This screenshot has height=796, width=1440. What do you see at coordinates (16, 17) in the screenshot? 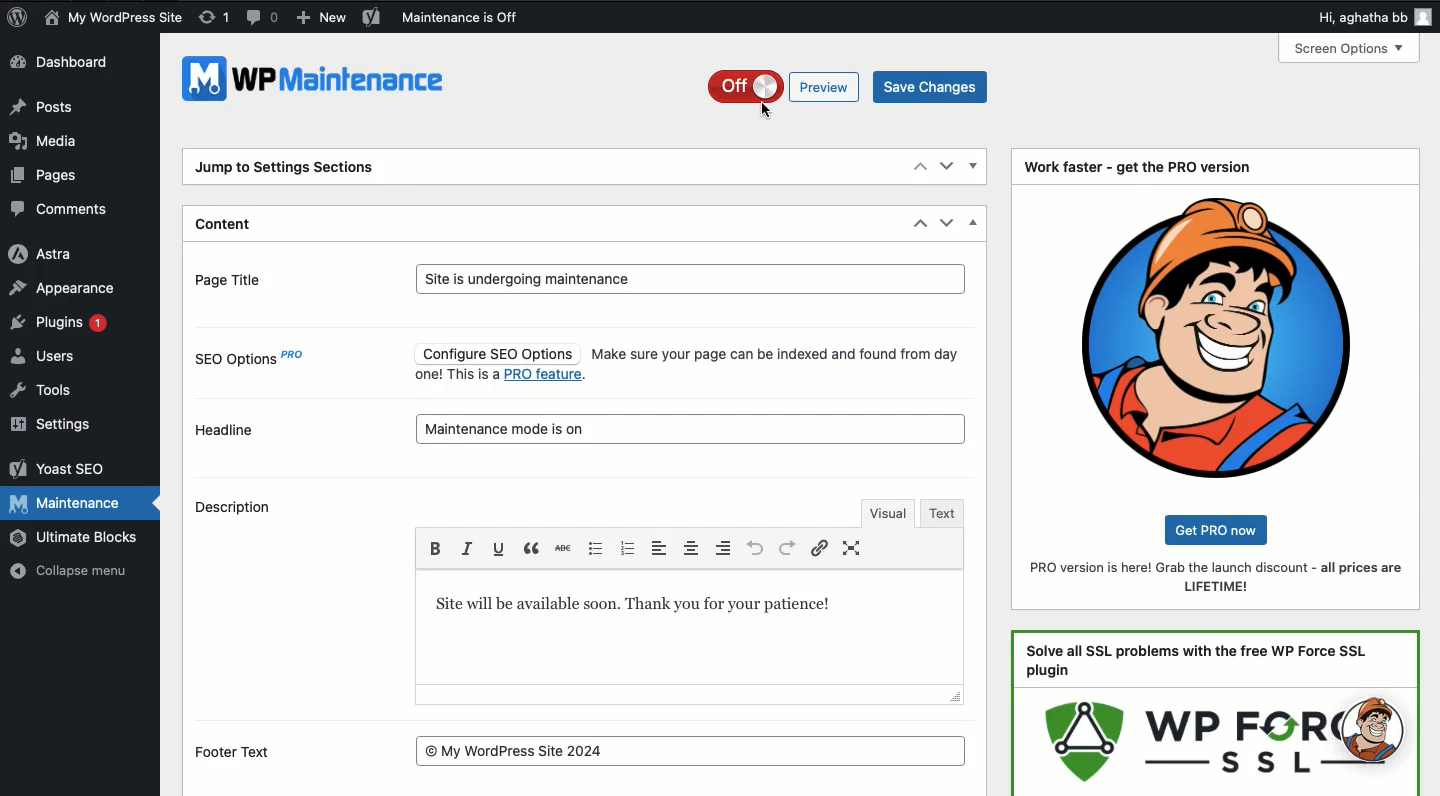
I see `Logo` at bounding box center [16, 17].